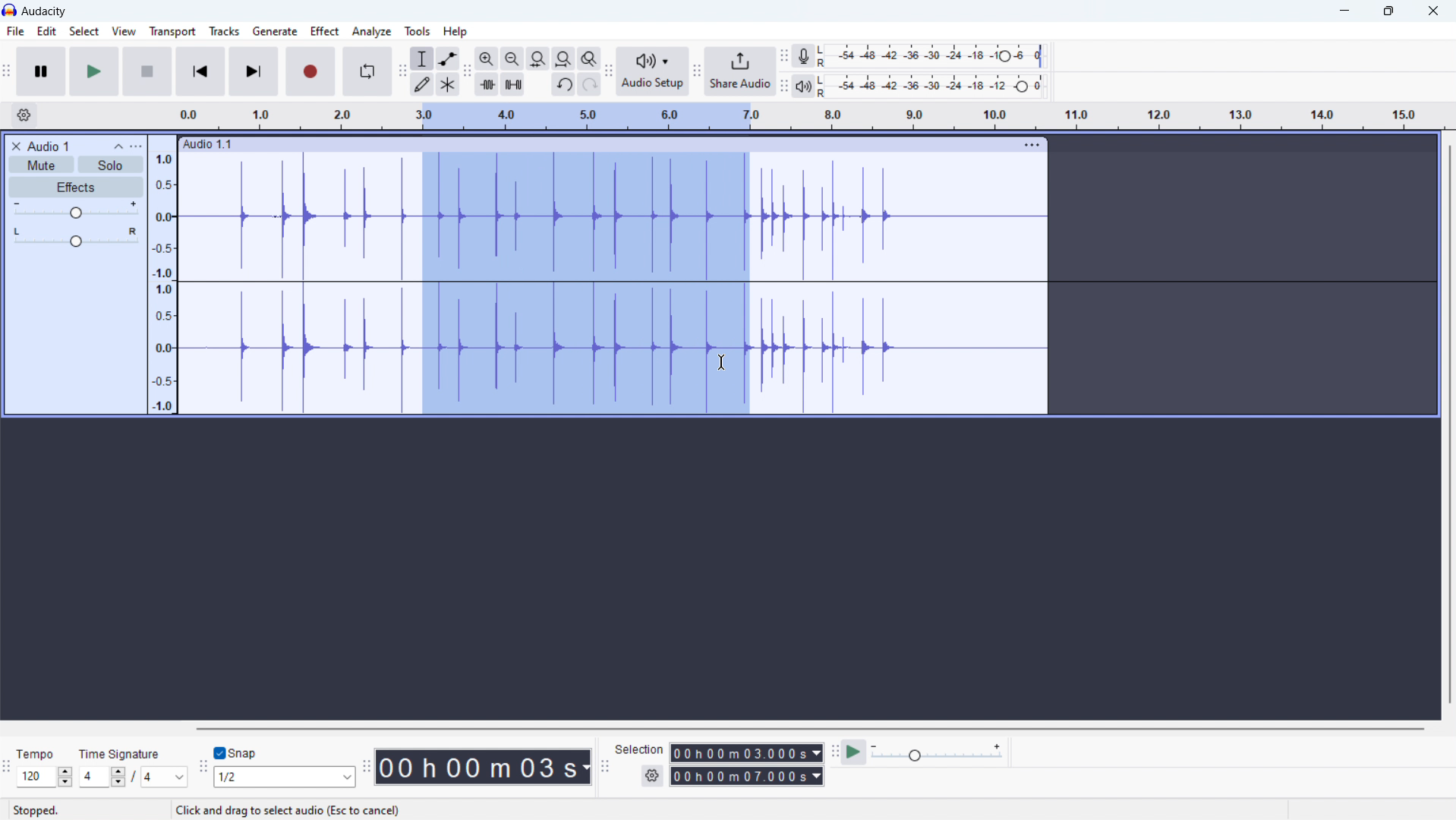 The width and height of the screenshot is (1456, 820). I want to click on vertical scrollbar, so click(1448, 424).